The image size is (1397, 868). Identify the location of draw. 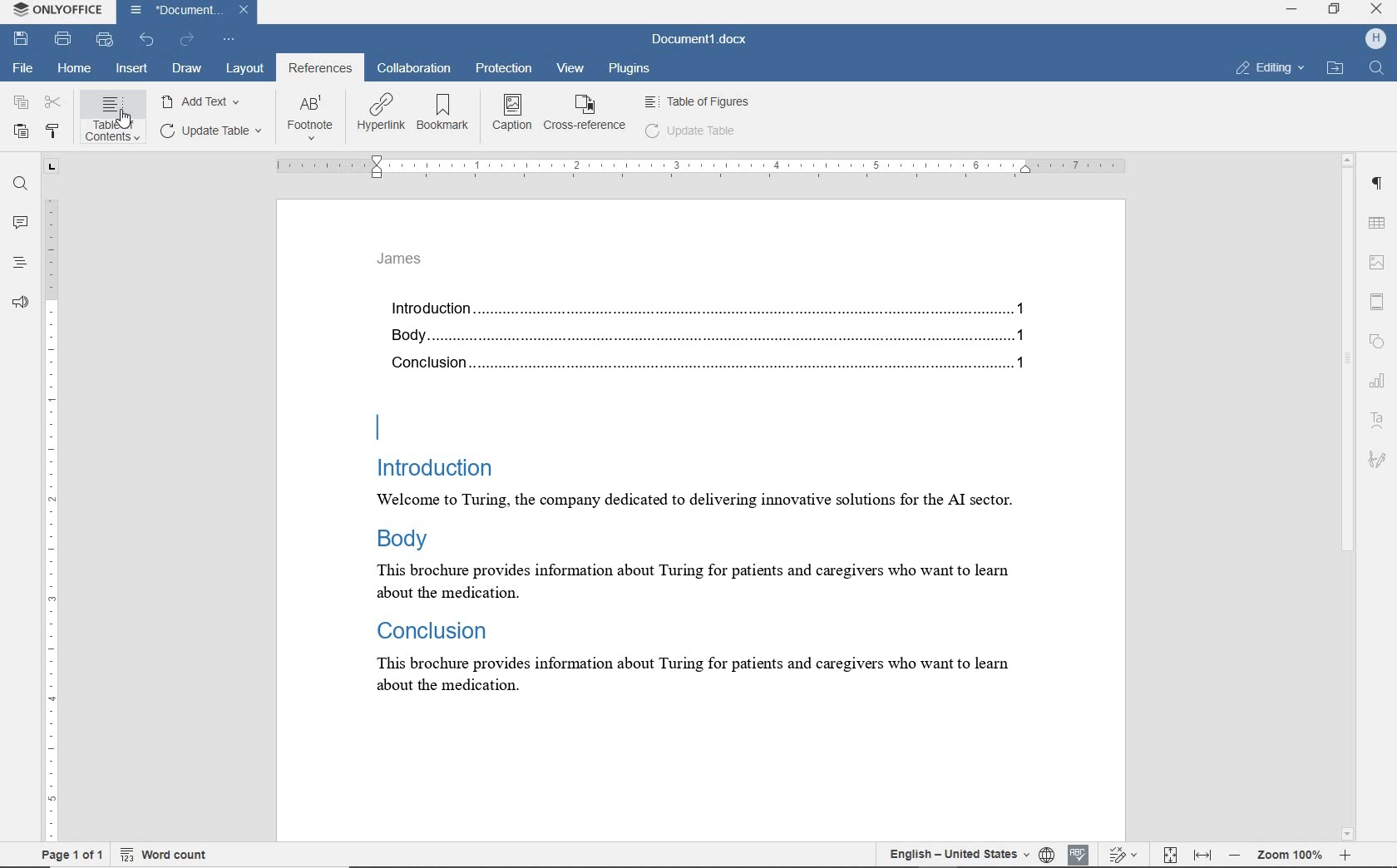
(187, 70).